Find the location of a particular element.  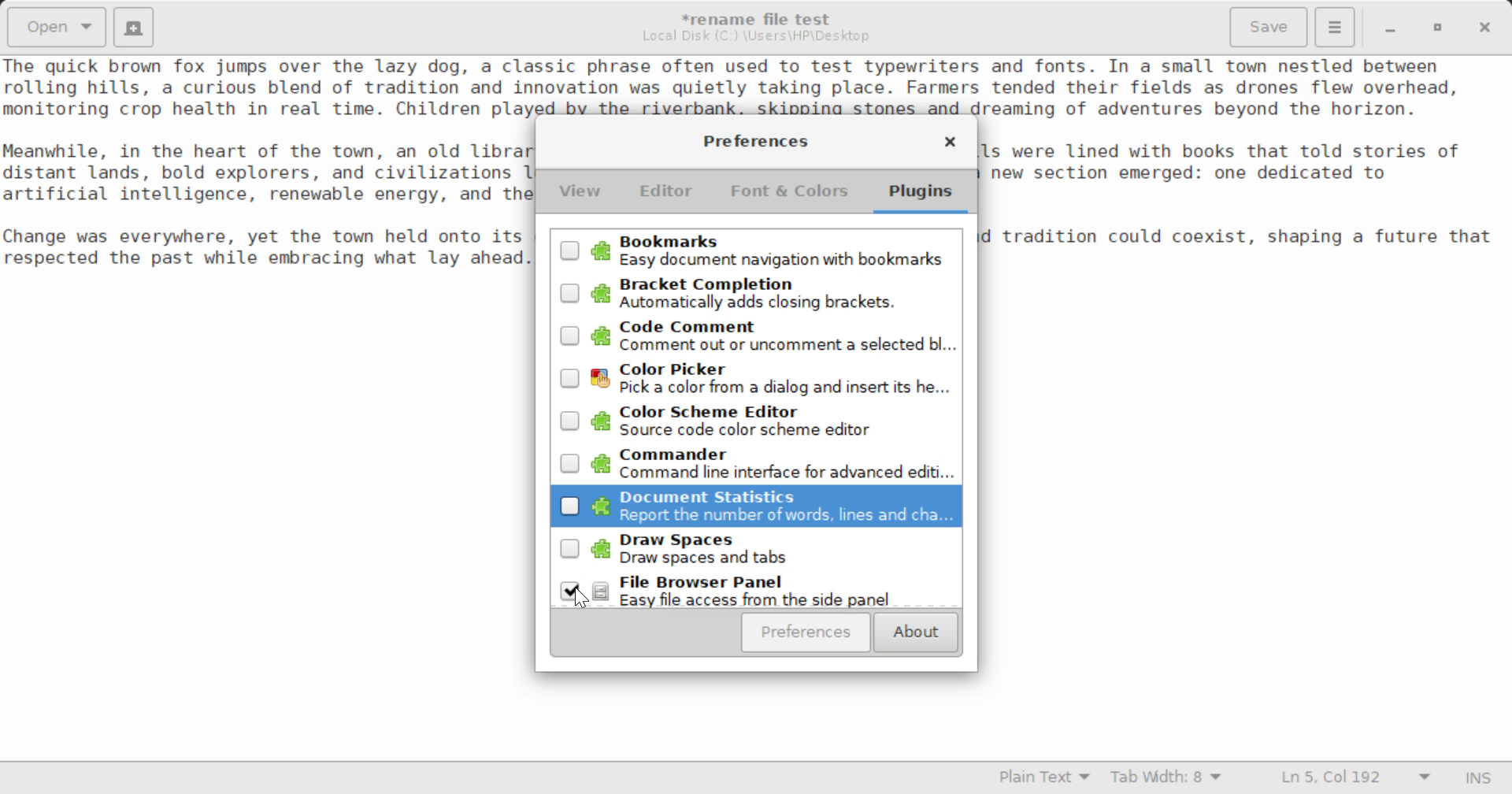

Menu is located at coordinates (1334, 25).